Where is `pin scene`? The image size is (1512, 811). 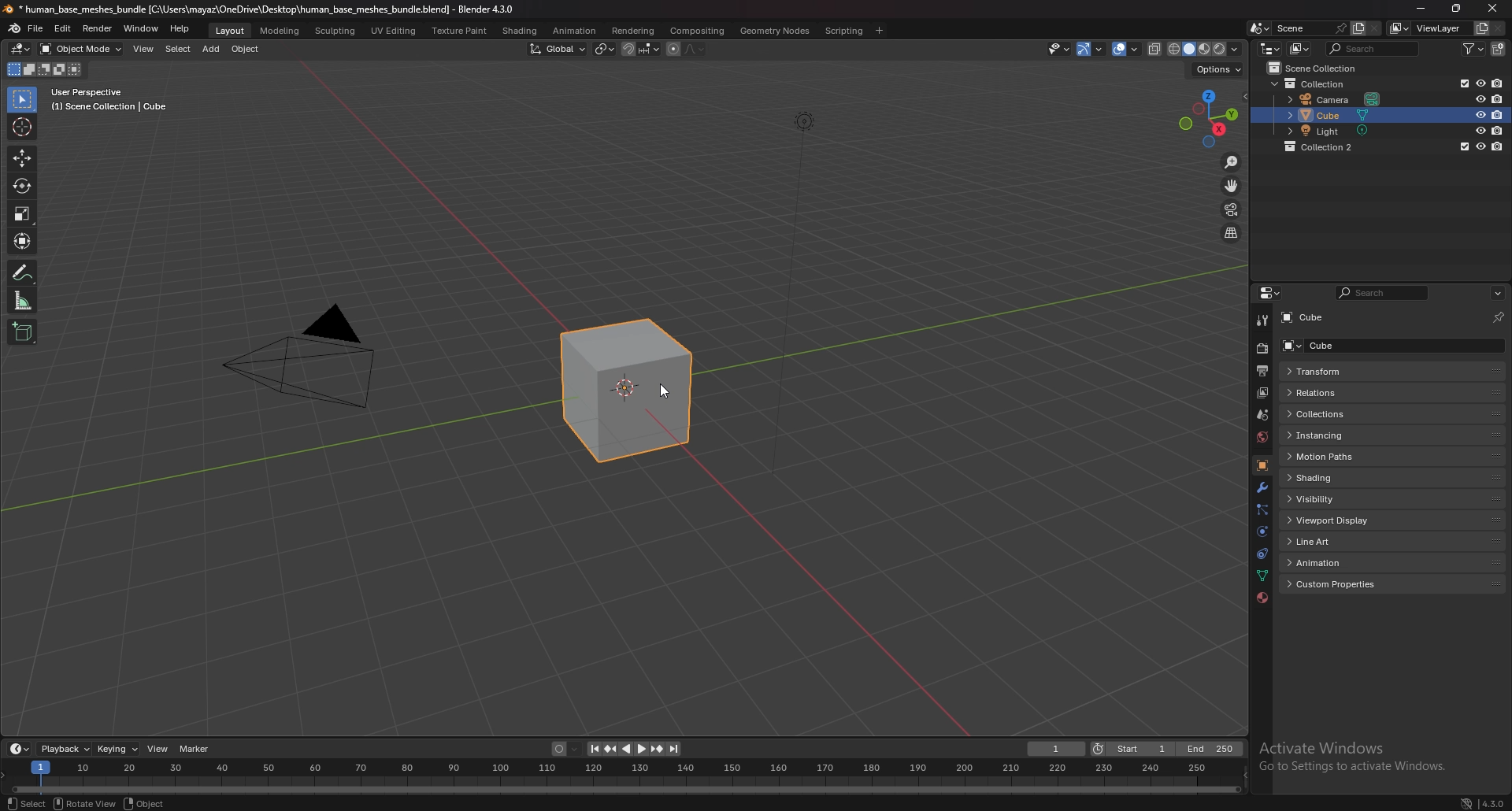
pin scene is located at coordinates (1340, 27).